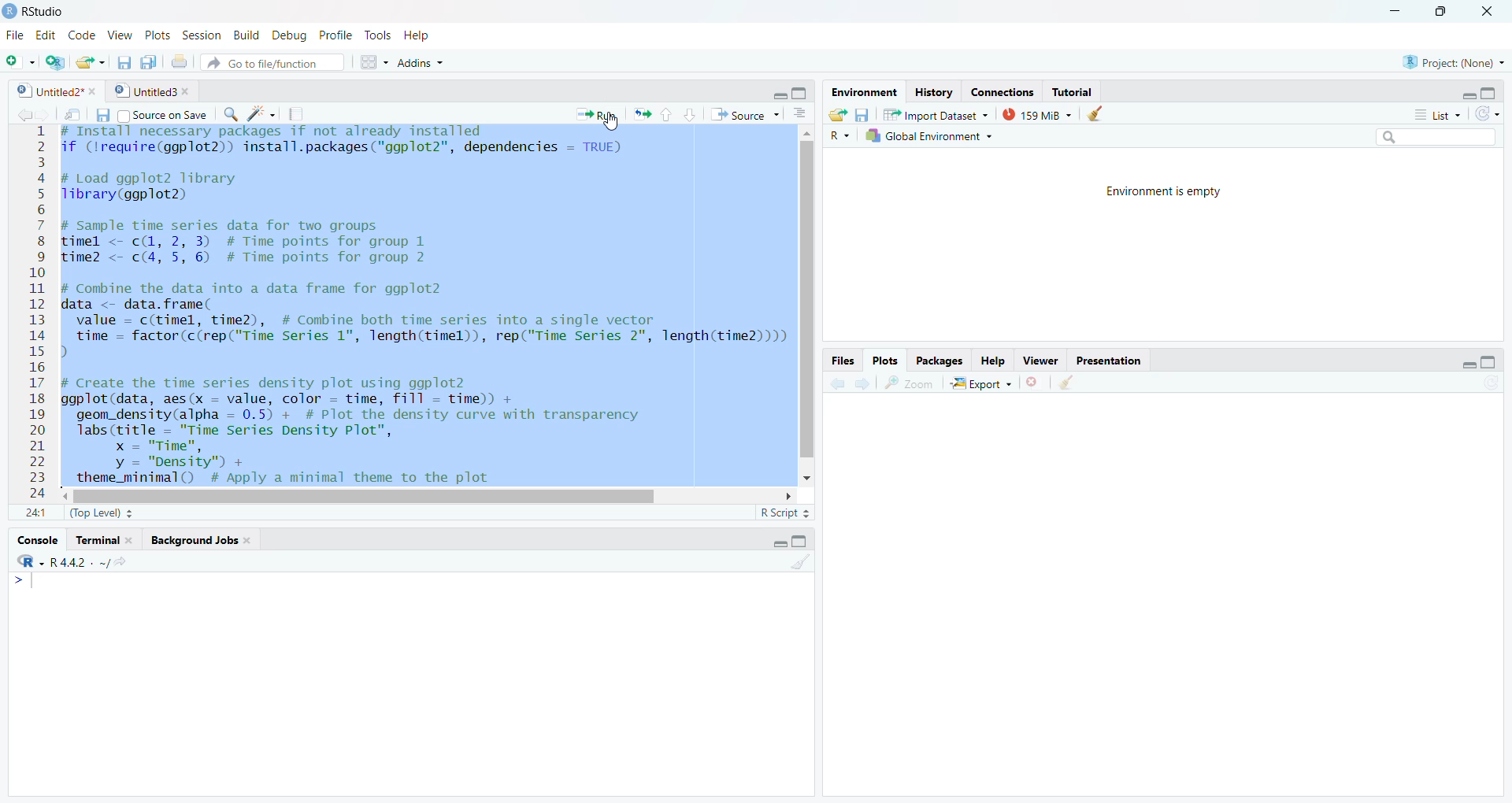  I want to click on Maximize, so click(802, 94).